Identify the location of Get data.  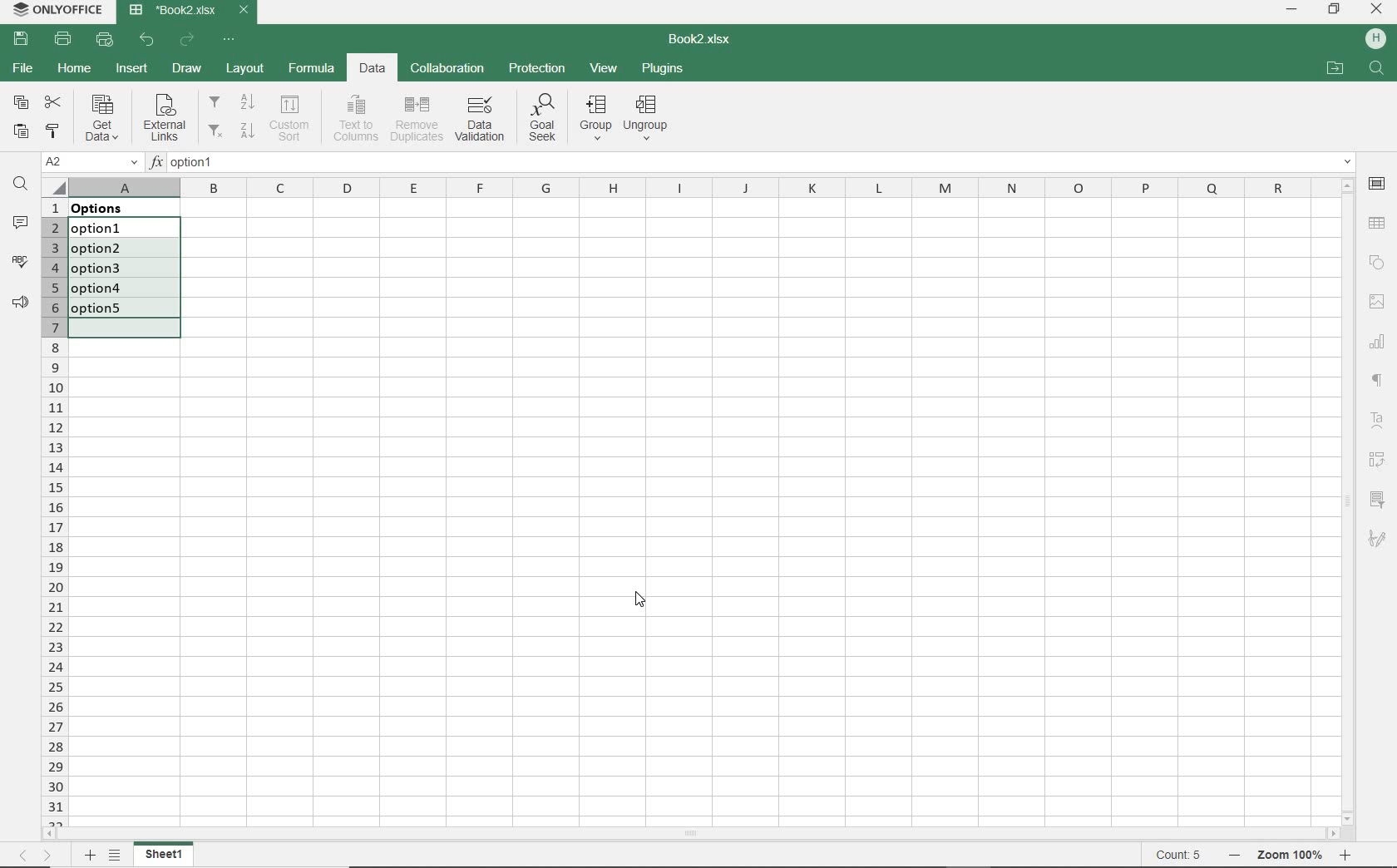
(100, 117).